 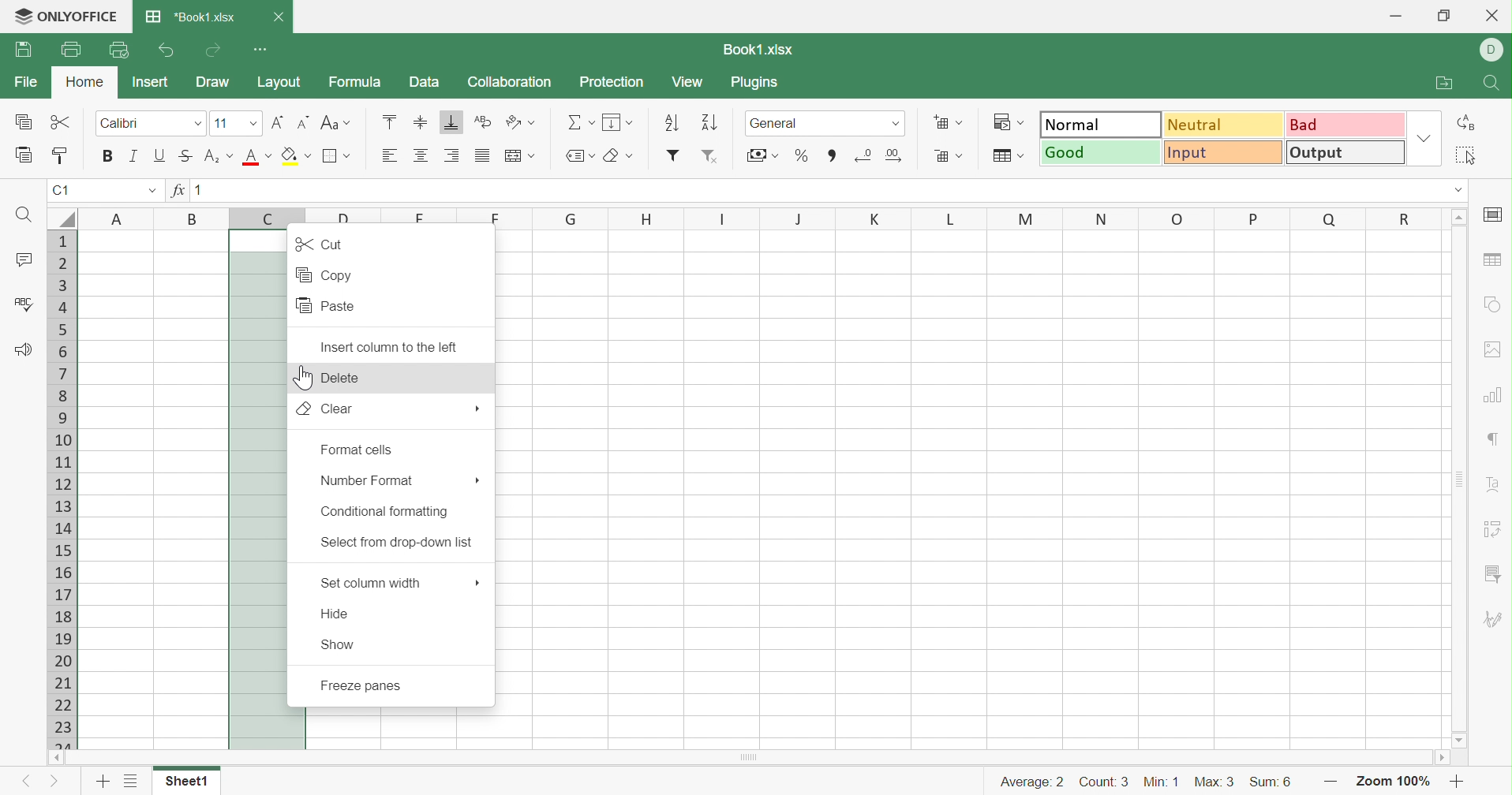 I want to click on Insert cells, so click(x=938, y=121).